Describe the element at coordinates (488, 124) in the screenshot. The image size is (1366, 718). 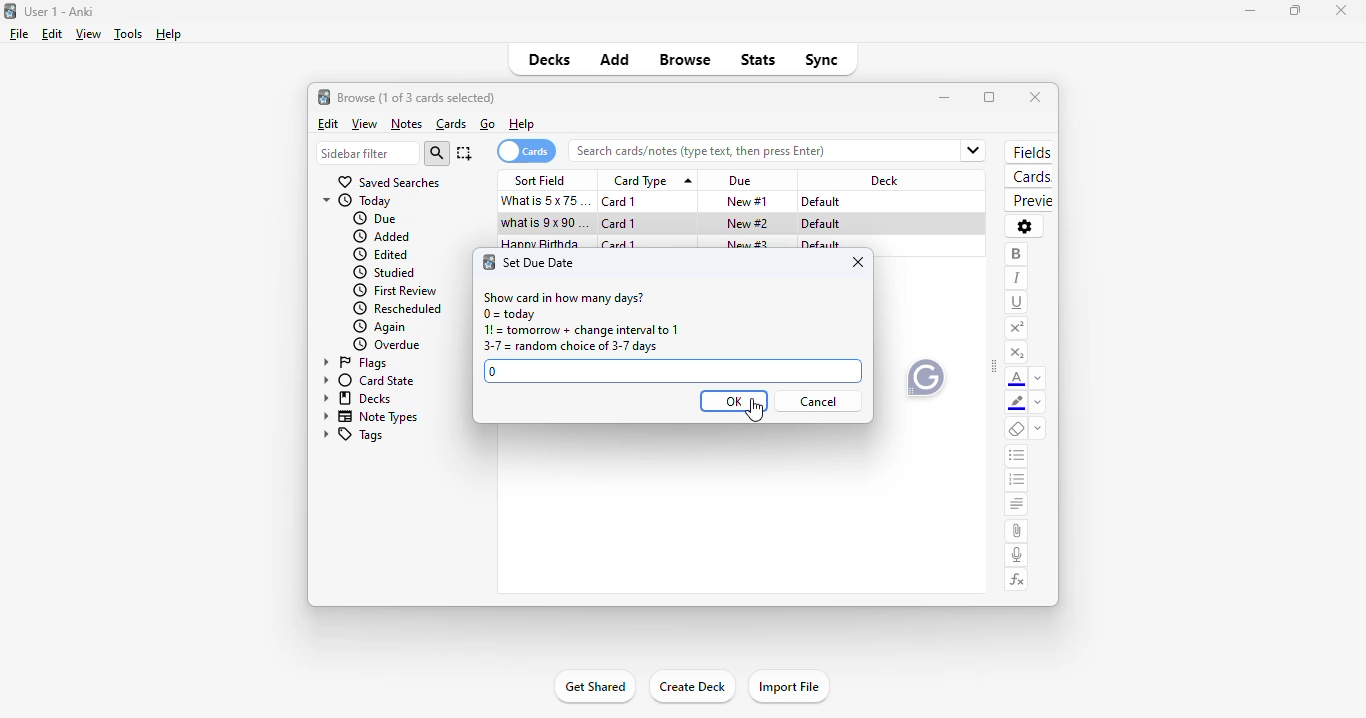
I see `go` at that location.